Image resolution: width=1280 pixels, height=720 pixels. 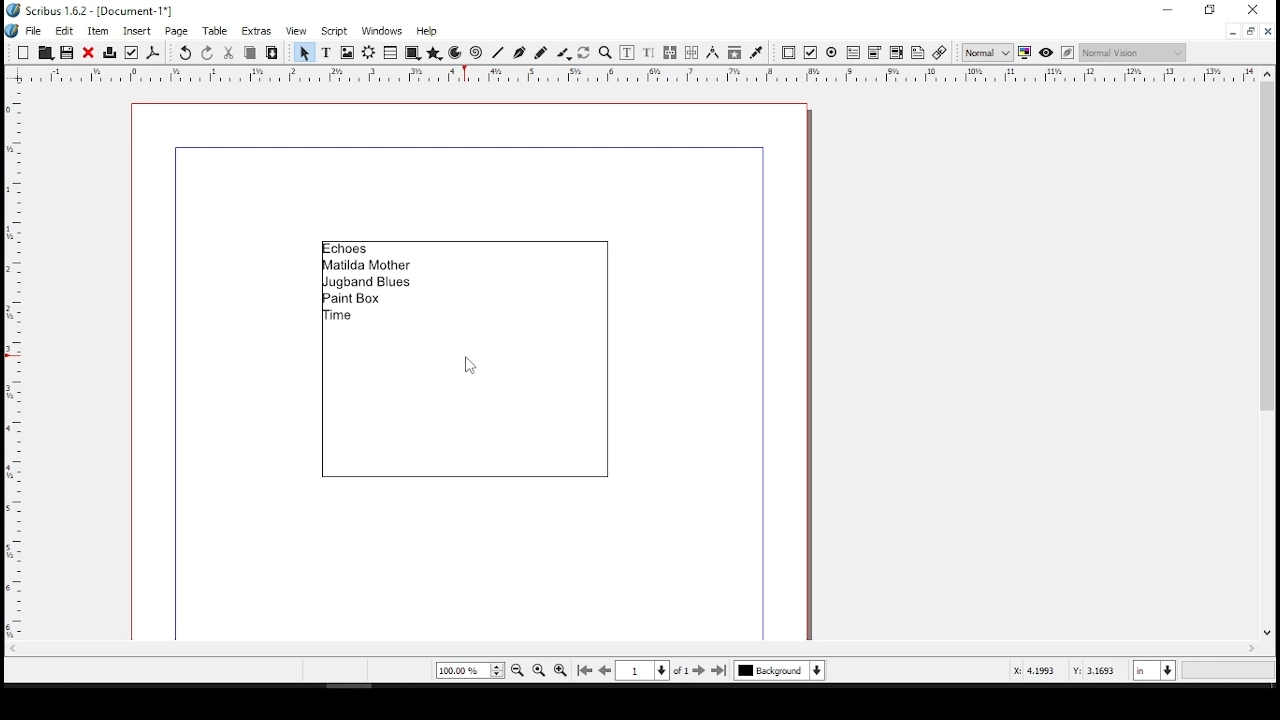 I want to click on restore, so click(x=1211, y=10).